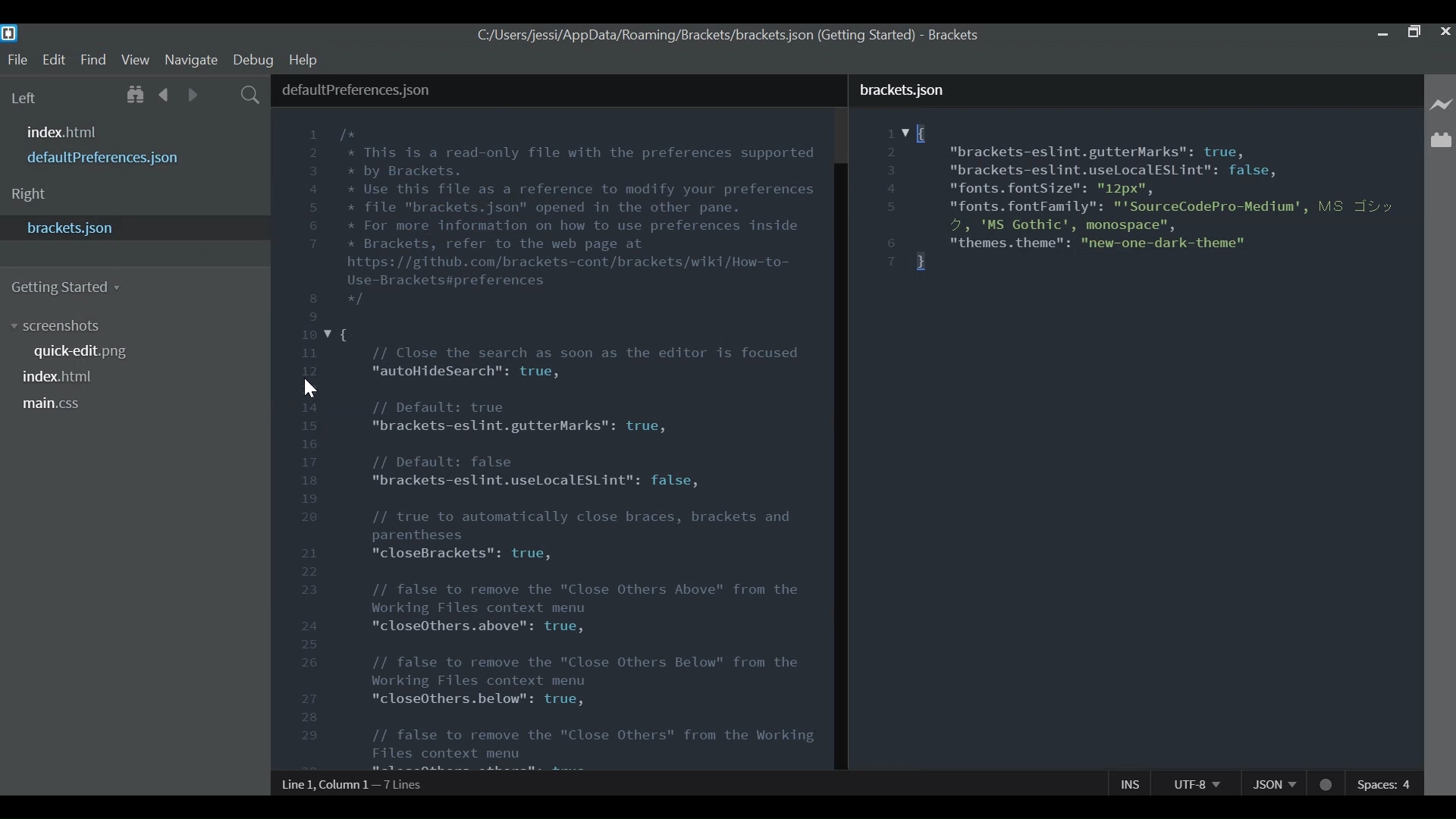 This screenshot has width=1456, height=819. Describe the element at coordinates (1416, 34) in the screenshot. I see `Restore` at that location.